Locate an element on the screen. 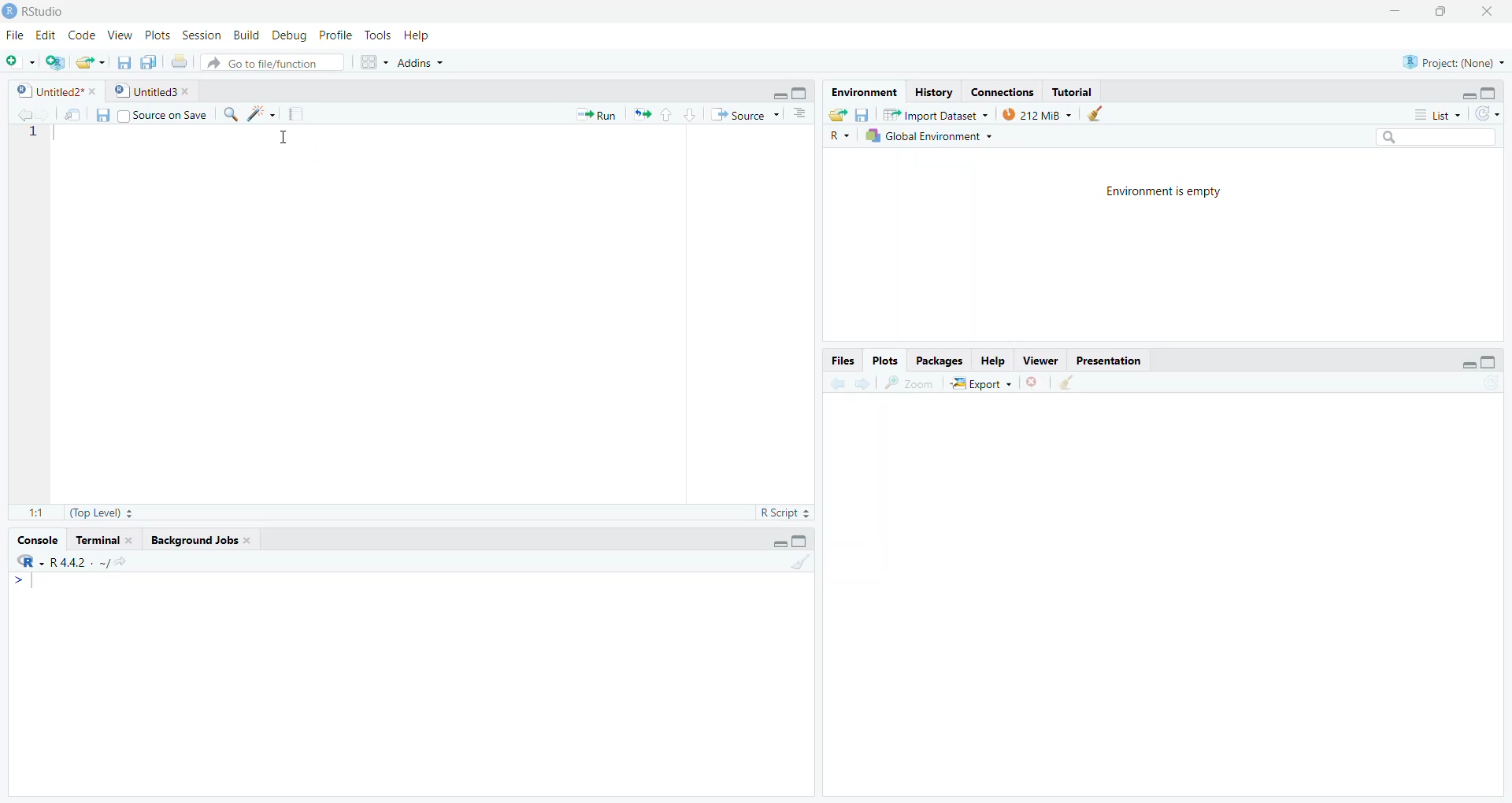   is located at coordinates (28, 583).